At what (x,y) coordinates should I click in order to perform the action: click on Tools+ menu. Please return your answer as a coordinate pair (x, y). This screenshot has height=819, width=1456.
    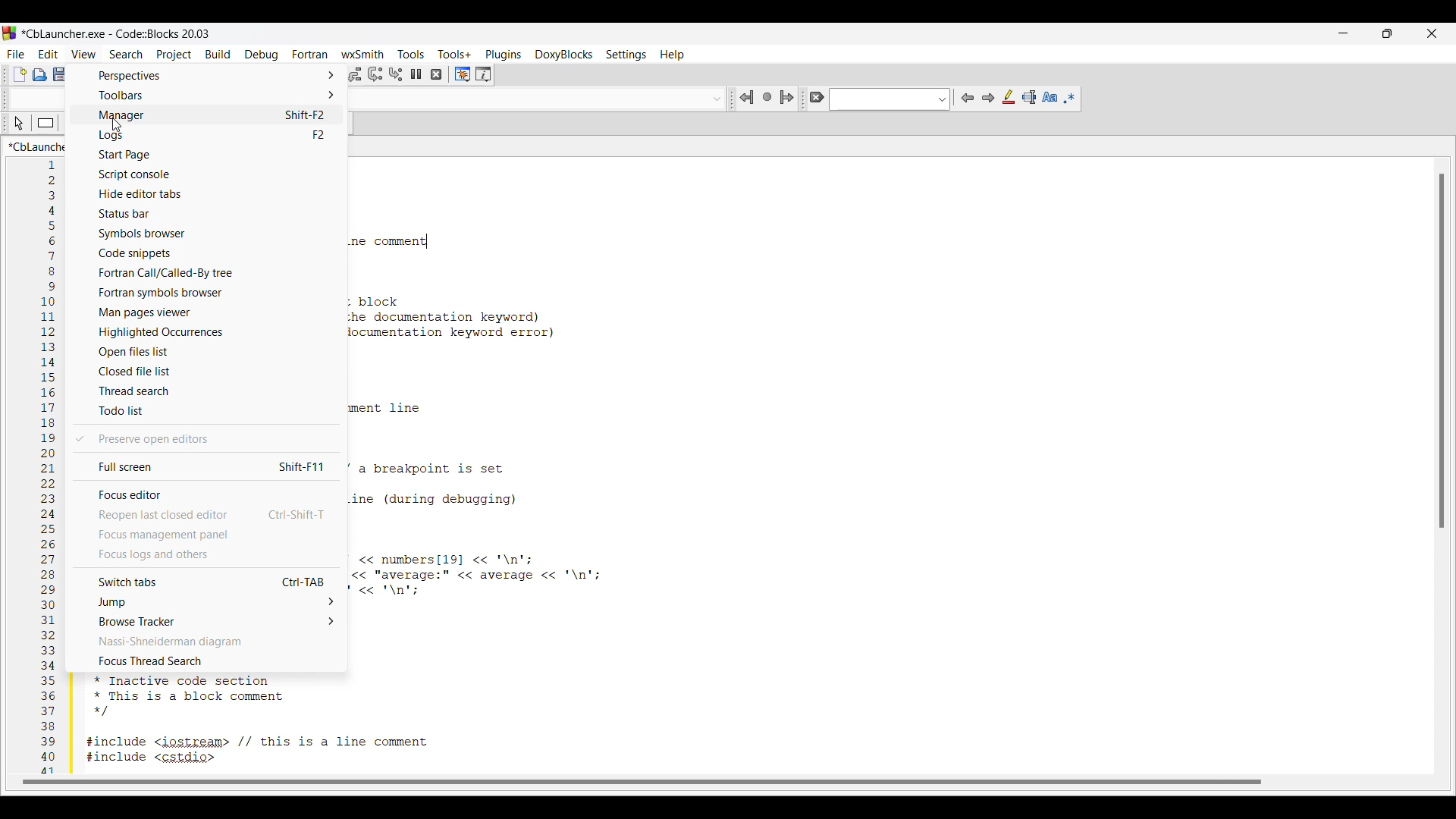
    Looking at the image, I should click on (454, 54).